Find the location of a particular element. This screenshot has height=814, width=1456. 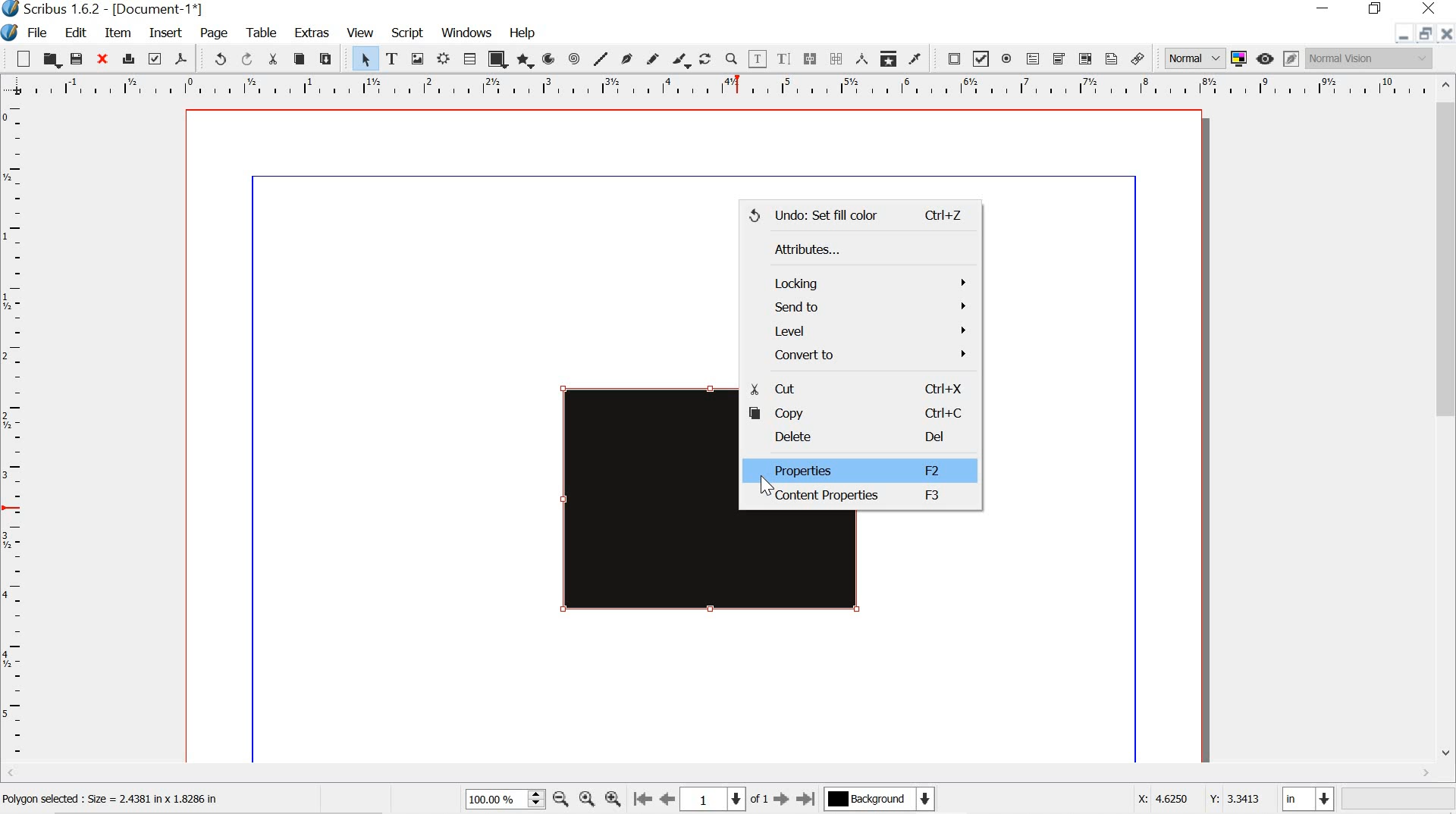

pdf push button is located at coordinates (951, 58).